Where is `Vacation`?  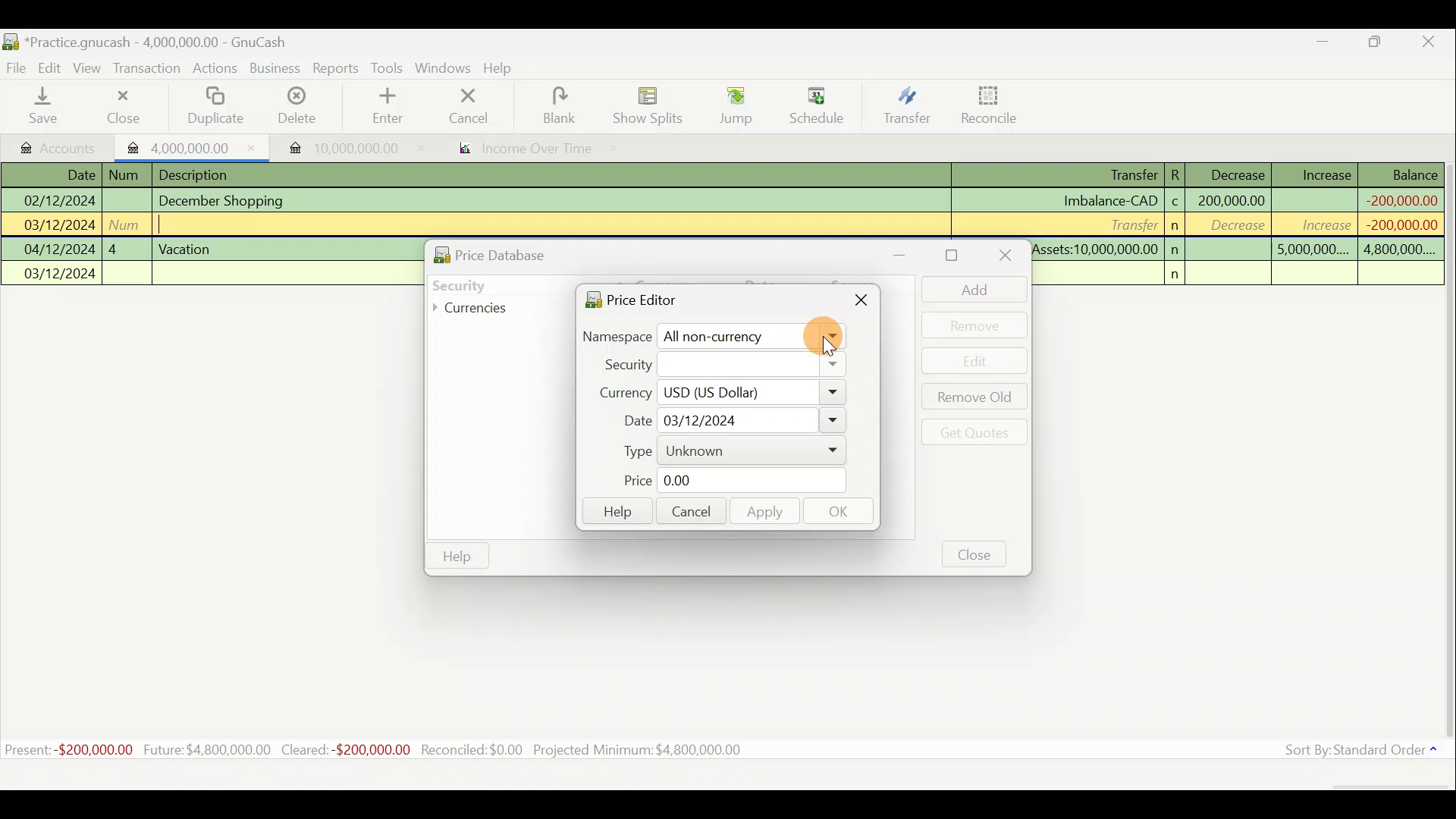 Vacation is located at coordinates (187, 247).